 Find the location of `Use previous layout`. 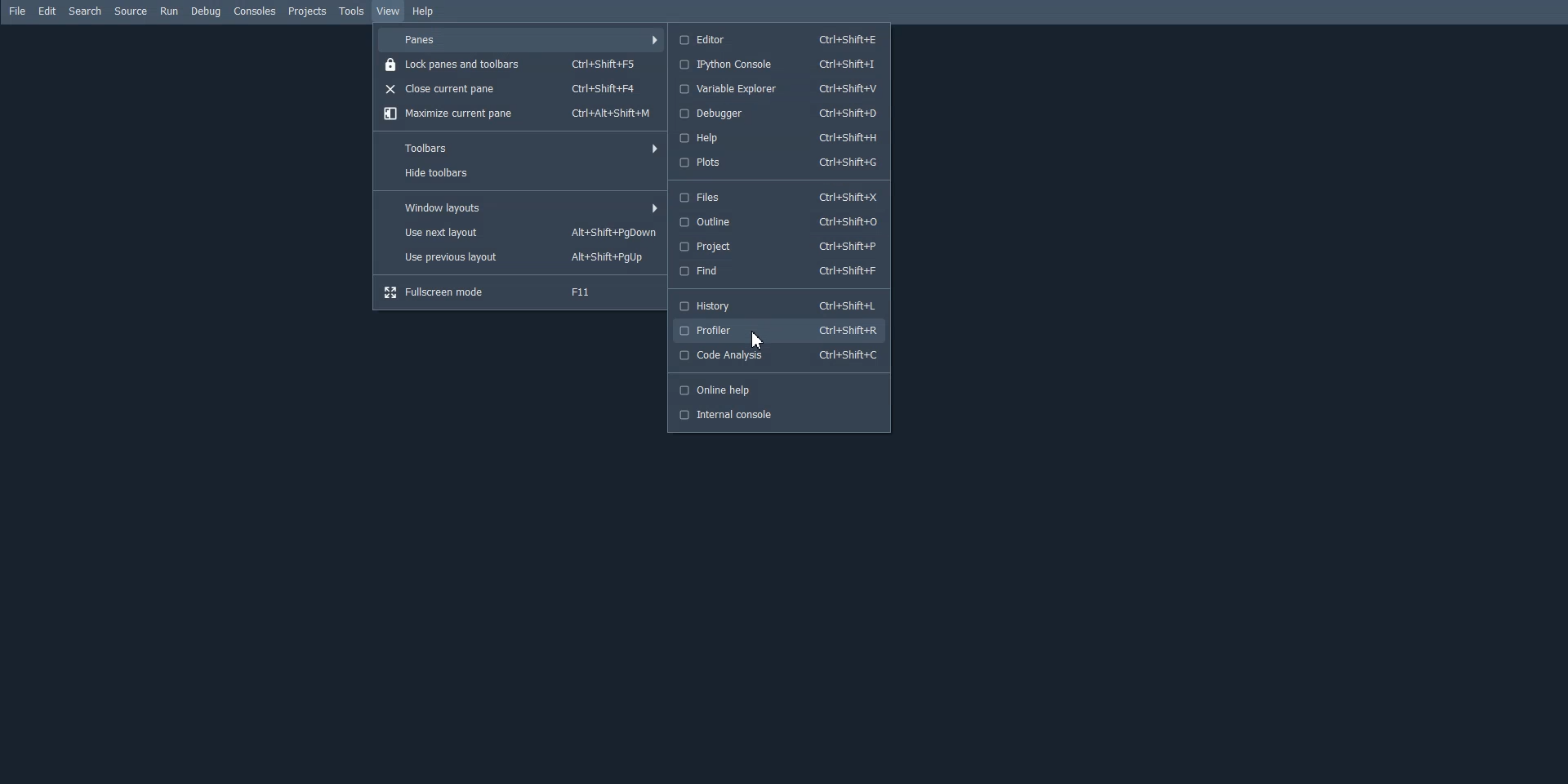

Use previous layout is located at coordinates (522, 257).